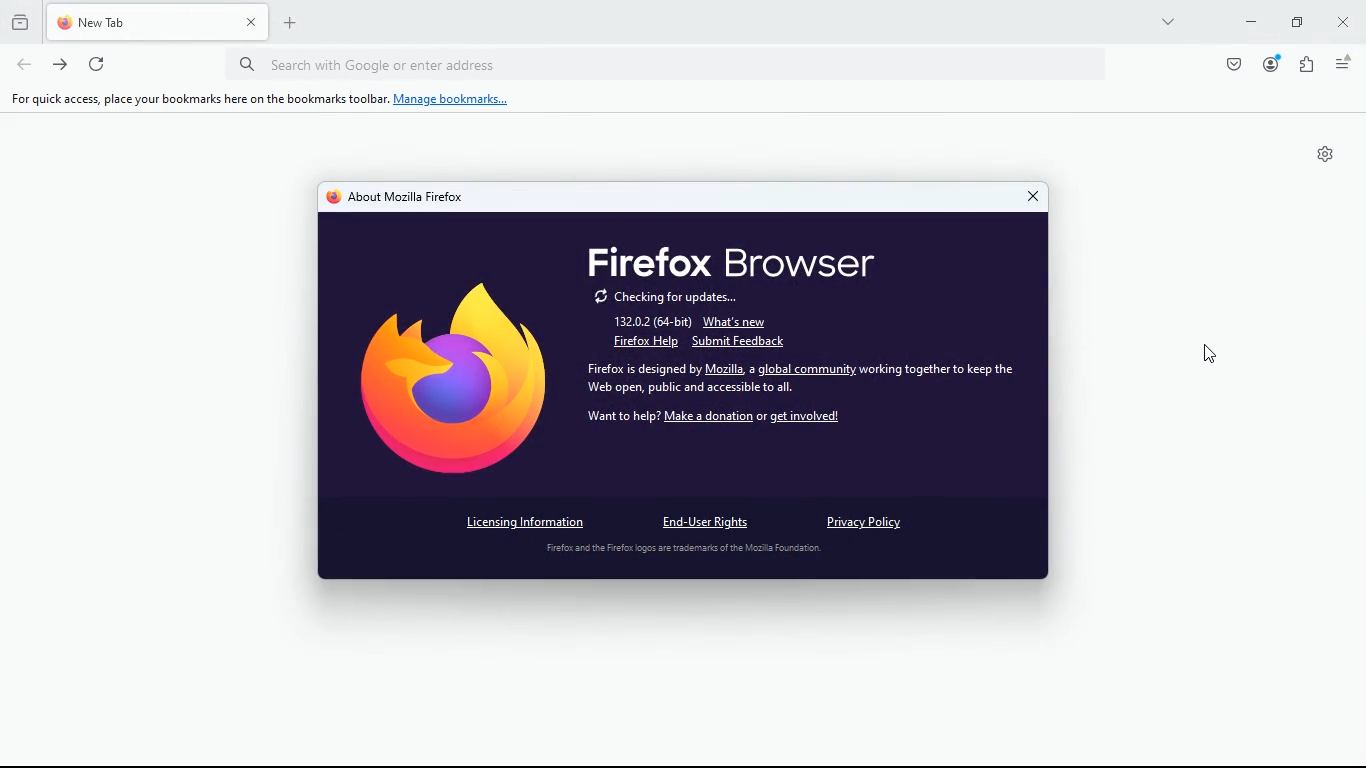 The image size is (1366, 768). What do you see at coordinates (739, 342) in the screenshot?
I see `submit feedback` at bounding box center [739, 342].